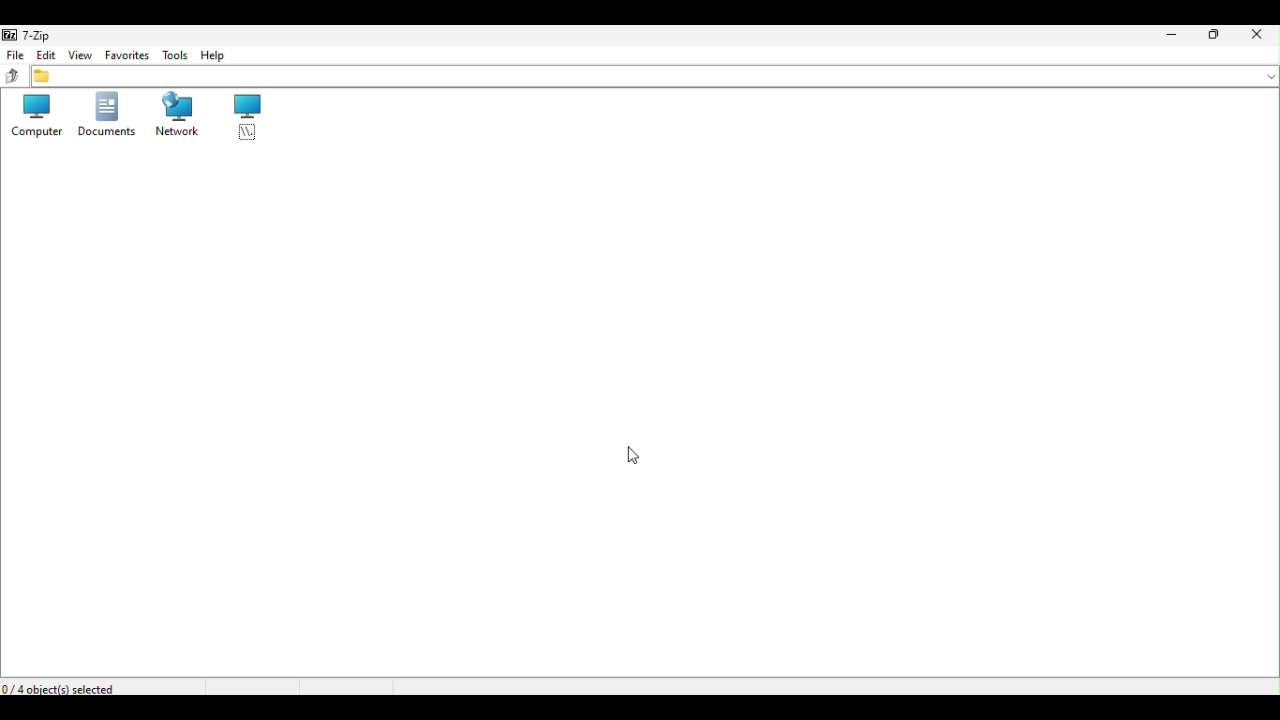 This screenshot has width=1280, height=720. I want to click on , so click(634, 455).